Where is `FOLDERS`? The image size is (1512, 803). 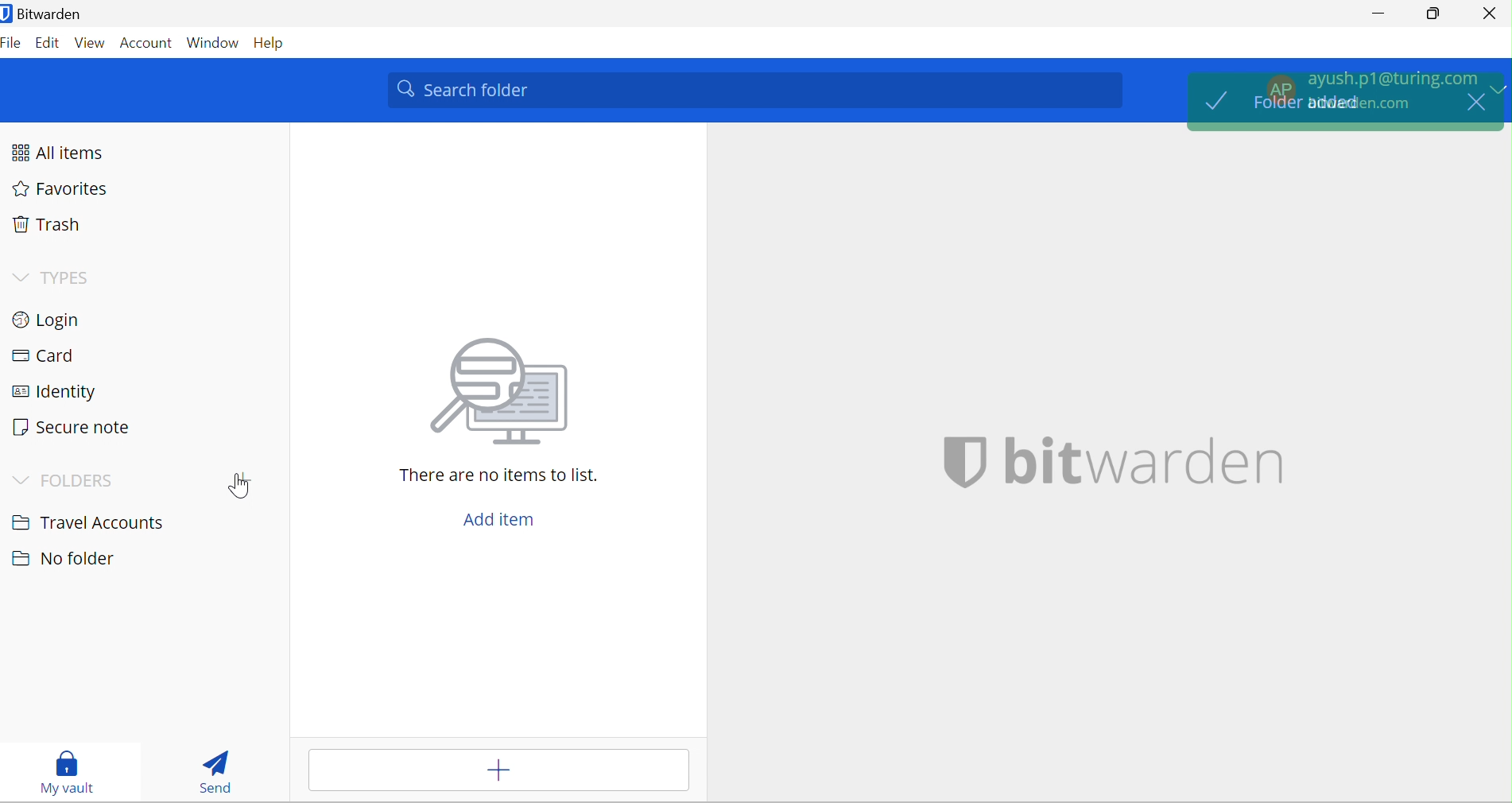
FOLDERS is located at coordinates (79, 479).